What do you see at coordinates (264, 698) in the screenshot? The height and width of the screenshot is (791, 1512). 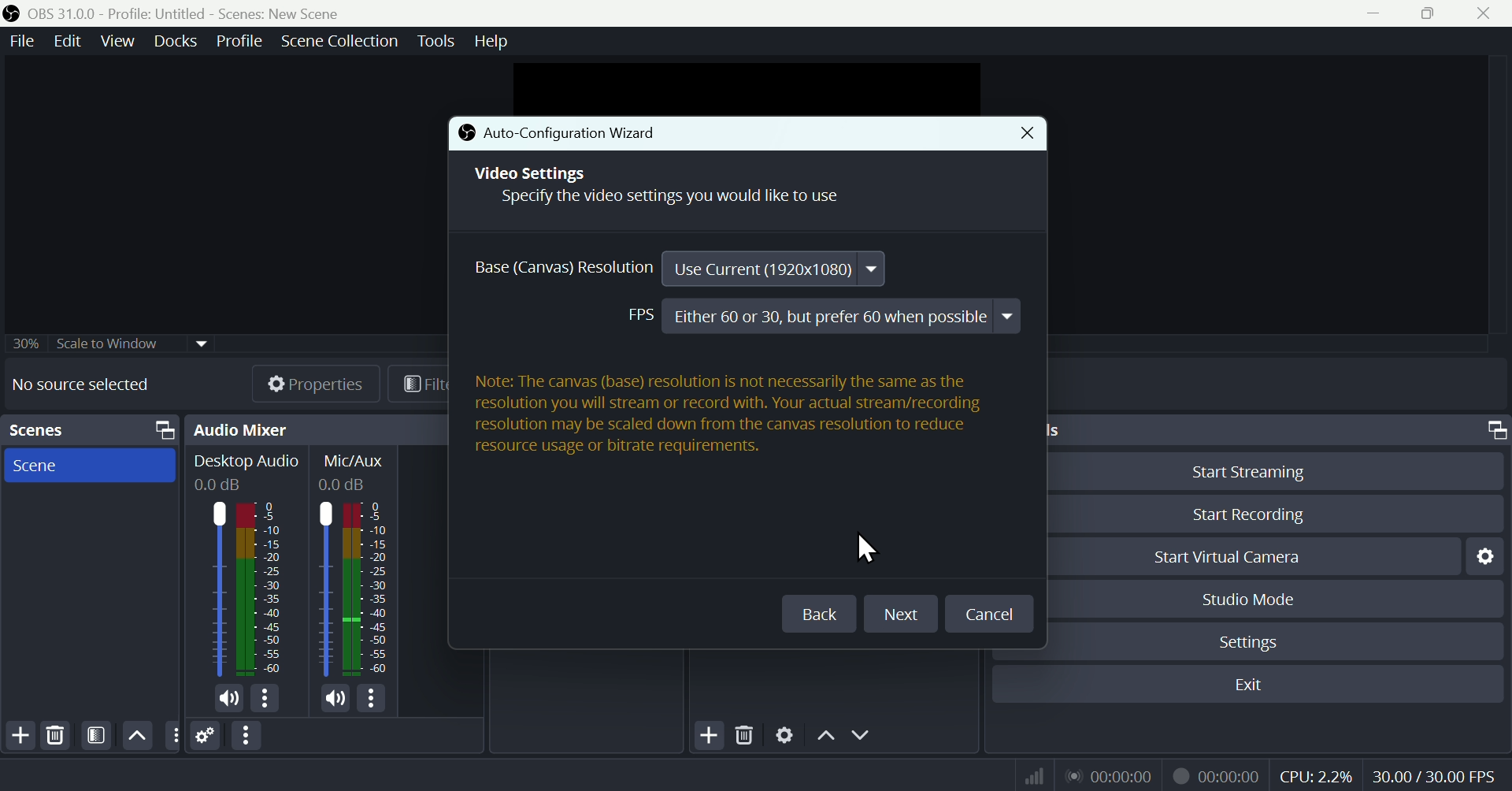 I see `options` at bounding box center [264, 698].